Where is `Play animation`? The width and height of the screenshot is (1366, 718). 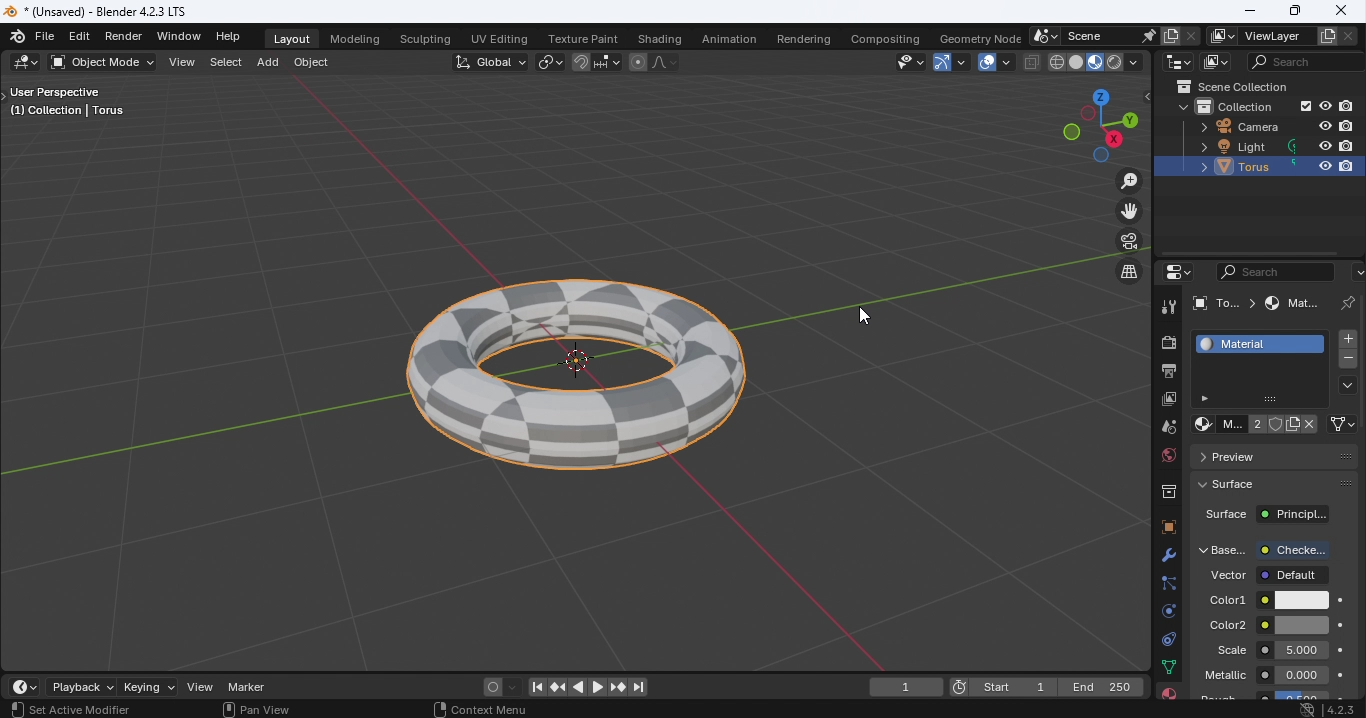
Play animation is located at coordinates (577, 687).